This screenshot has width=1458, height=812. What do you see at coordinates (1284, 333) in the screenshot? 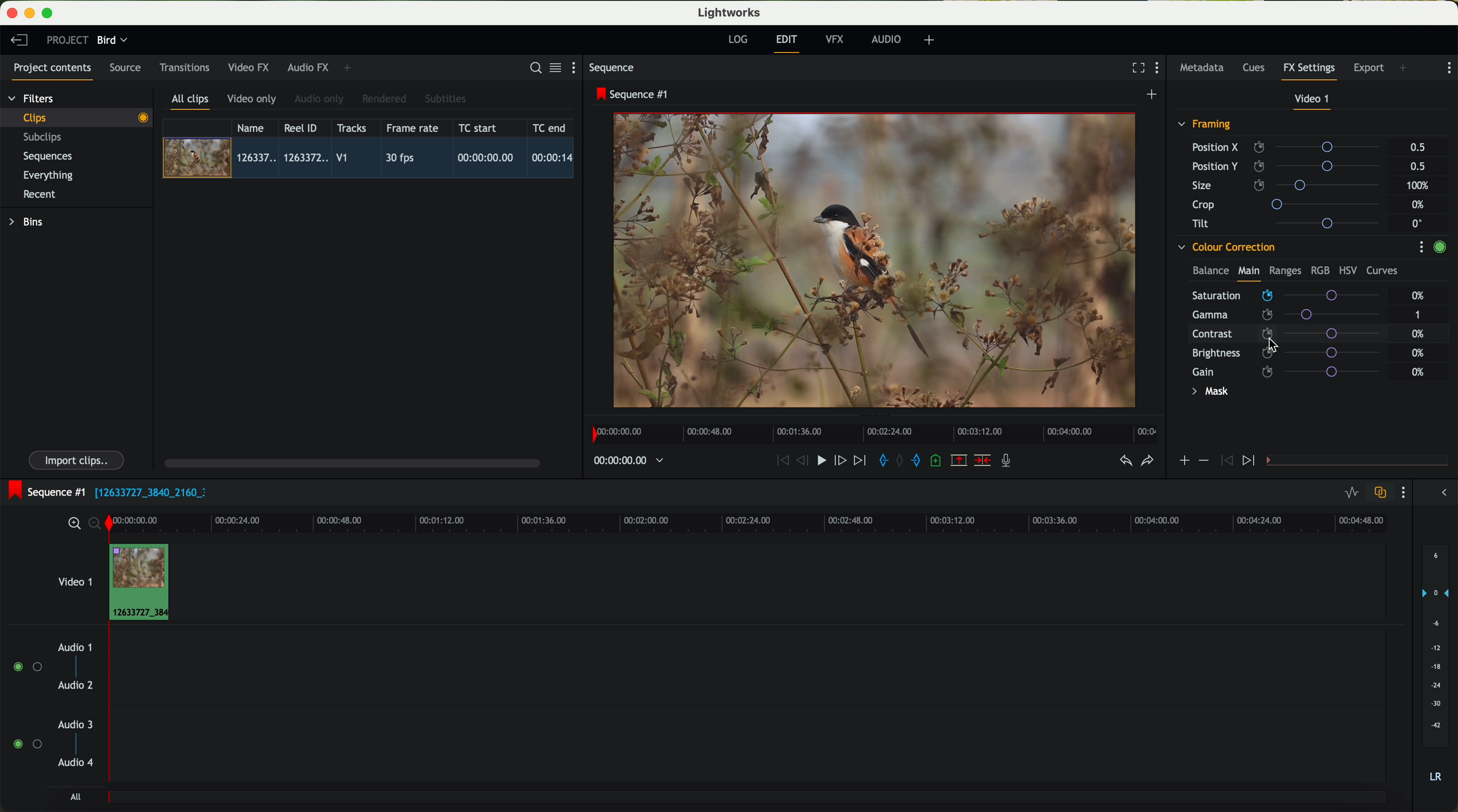
I see `click on contrast` at bounding box center [1284, 333].